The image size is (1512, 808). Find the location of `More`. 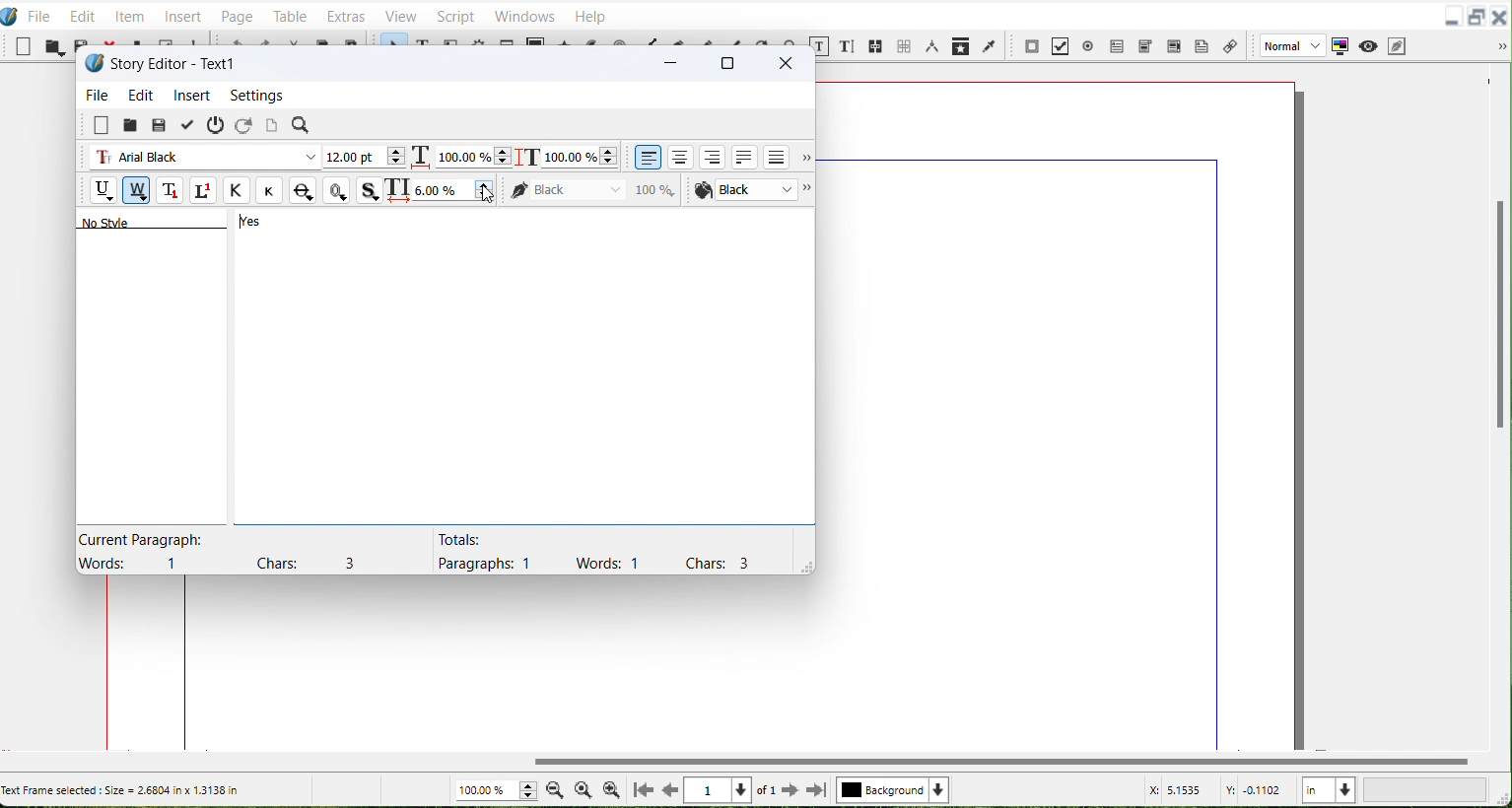

More is located at coordinates (806, 156).